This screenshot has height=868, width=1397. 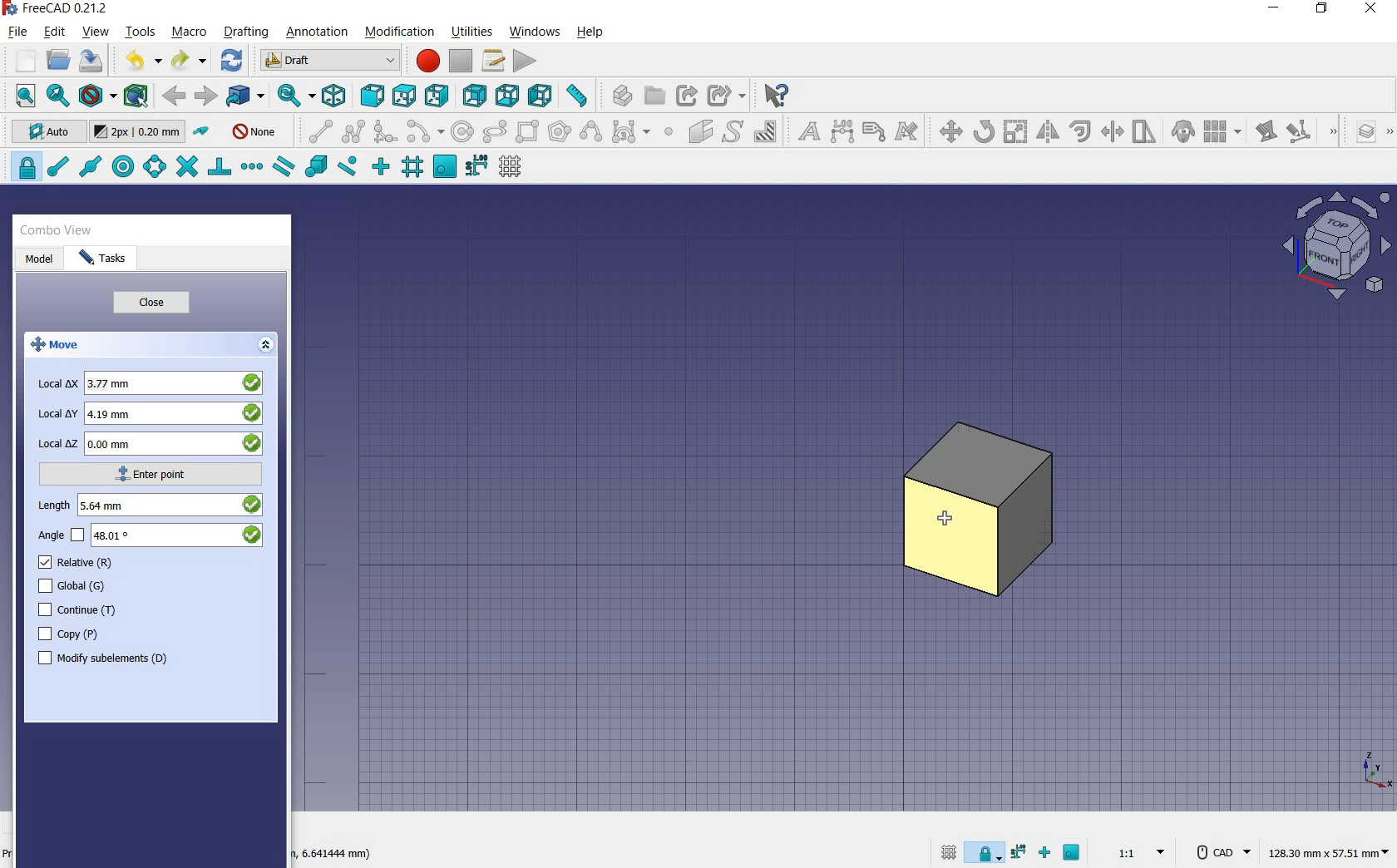 I want to click on mirror, so click(x=1049, y=131).